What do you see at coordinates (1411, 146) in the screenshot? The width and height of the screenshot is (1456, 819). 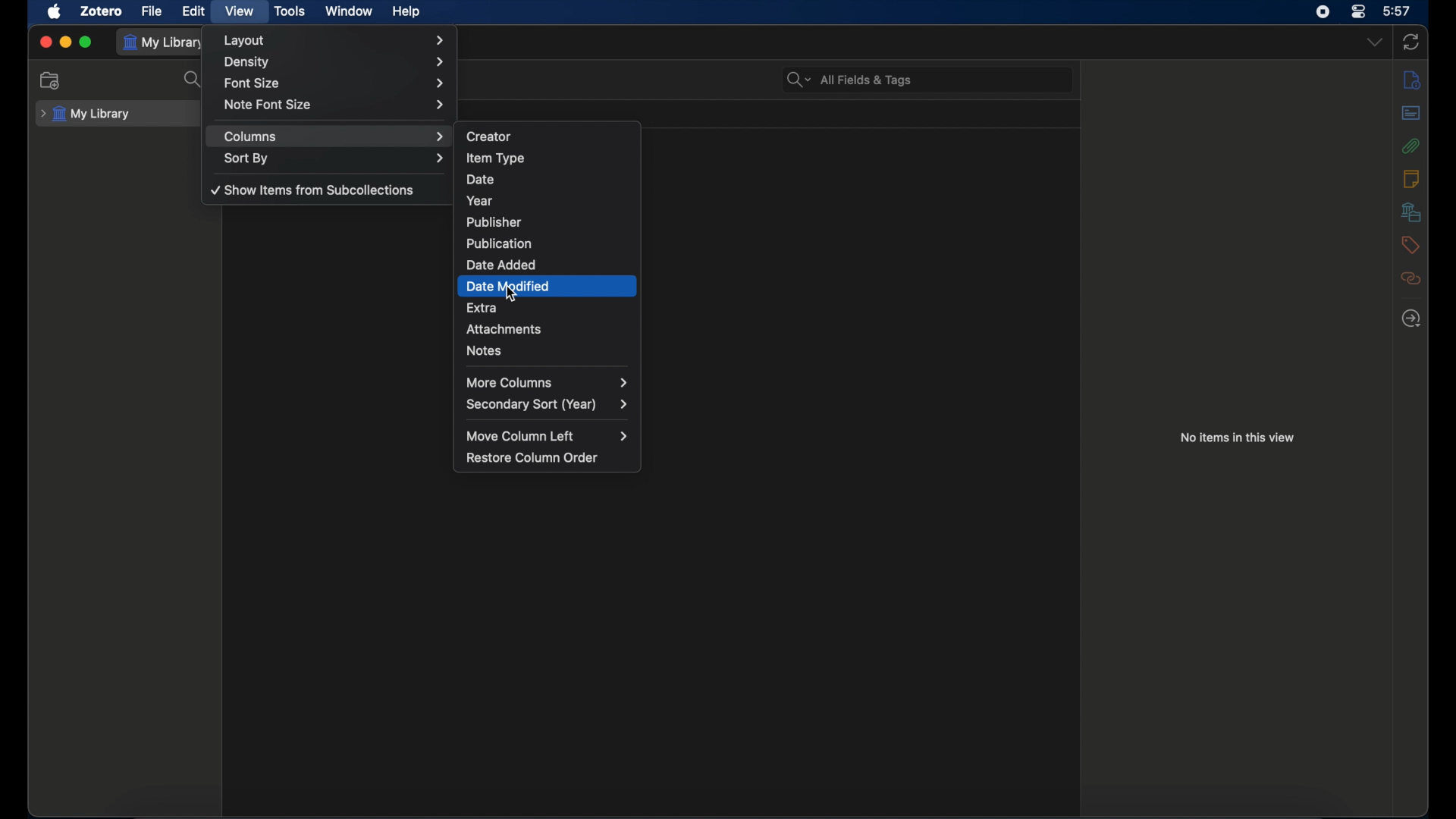 I see `attachments` at bounding box center [1411, 146].